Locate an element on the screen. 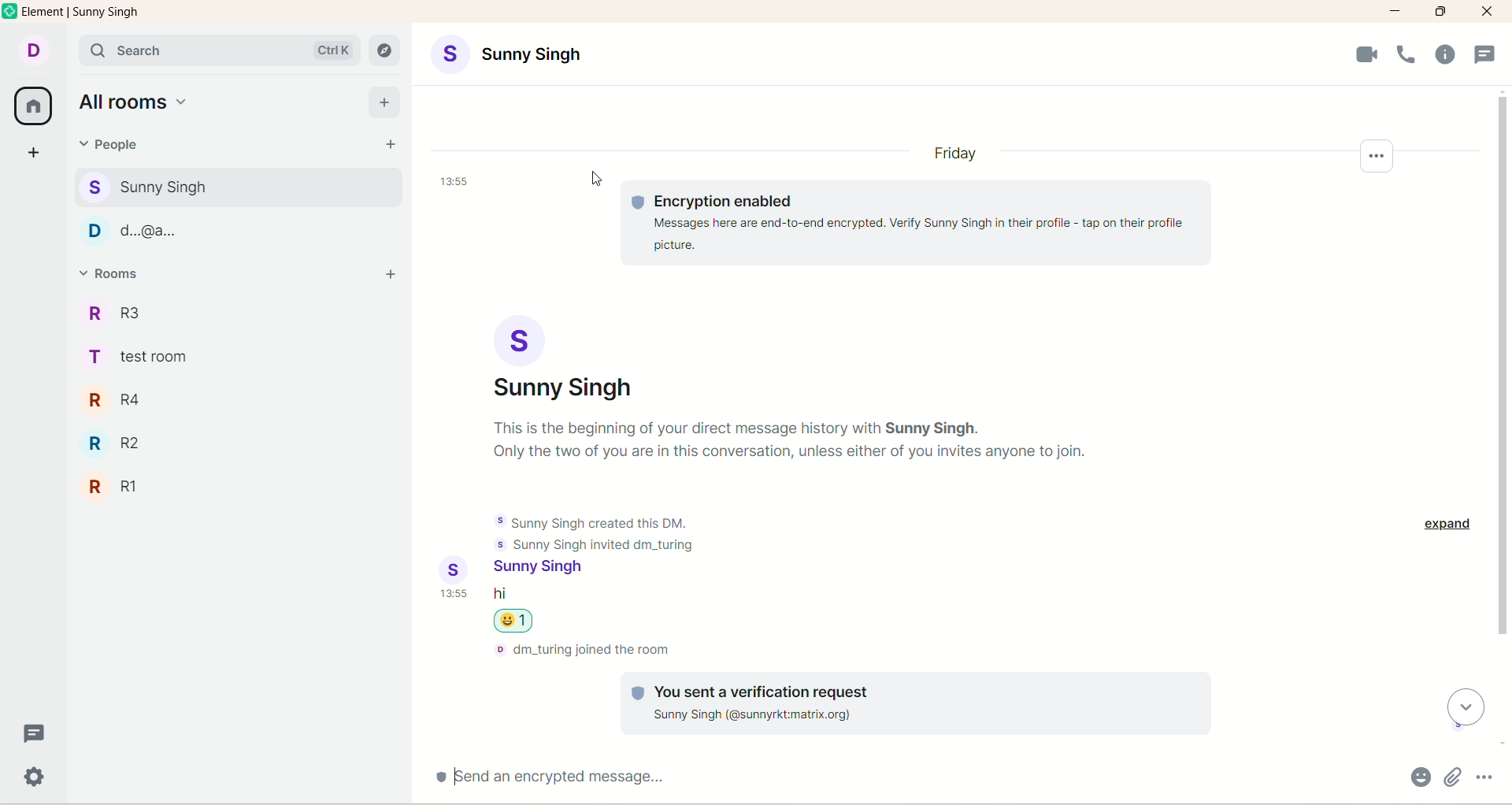  voice call is located at coordinates (1406, 54).